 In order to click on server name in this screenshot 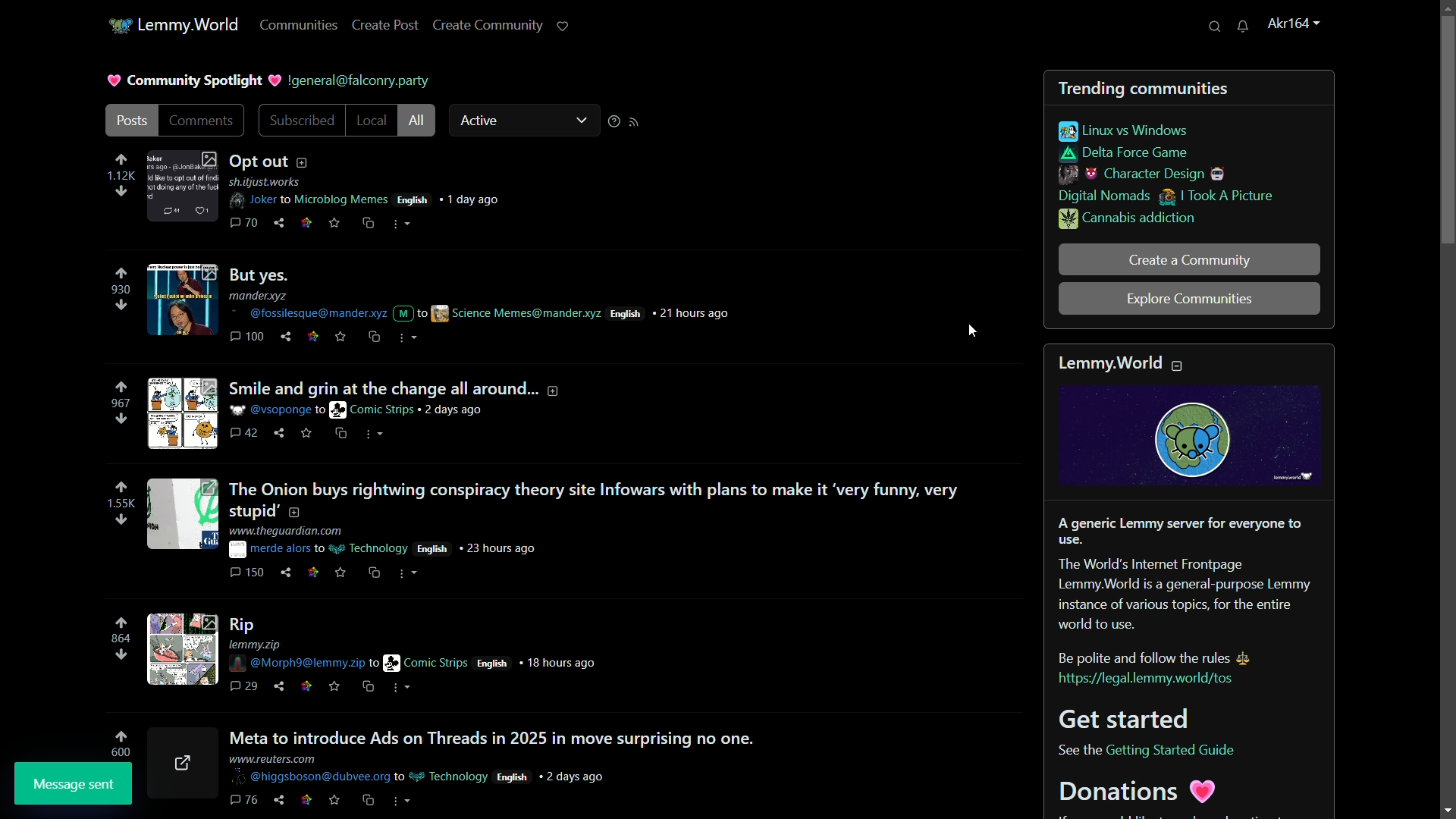, I will do `click(359, 80)`.